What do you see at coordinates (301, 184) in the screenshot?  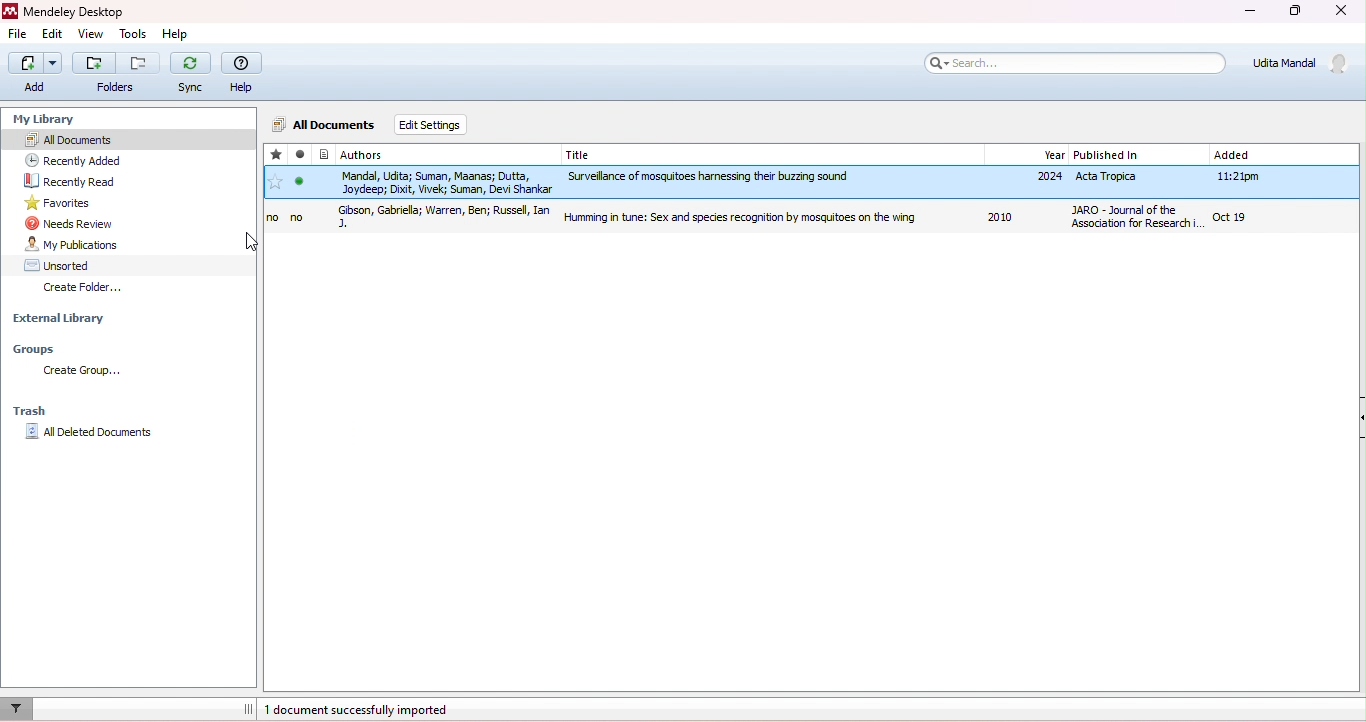 I see `mark as read` at bounding box center [301, 184].